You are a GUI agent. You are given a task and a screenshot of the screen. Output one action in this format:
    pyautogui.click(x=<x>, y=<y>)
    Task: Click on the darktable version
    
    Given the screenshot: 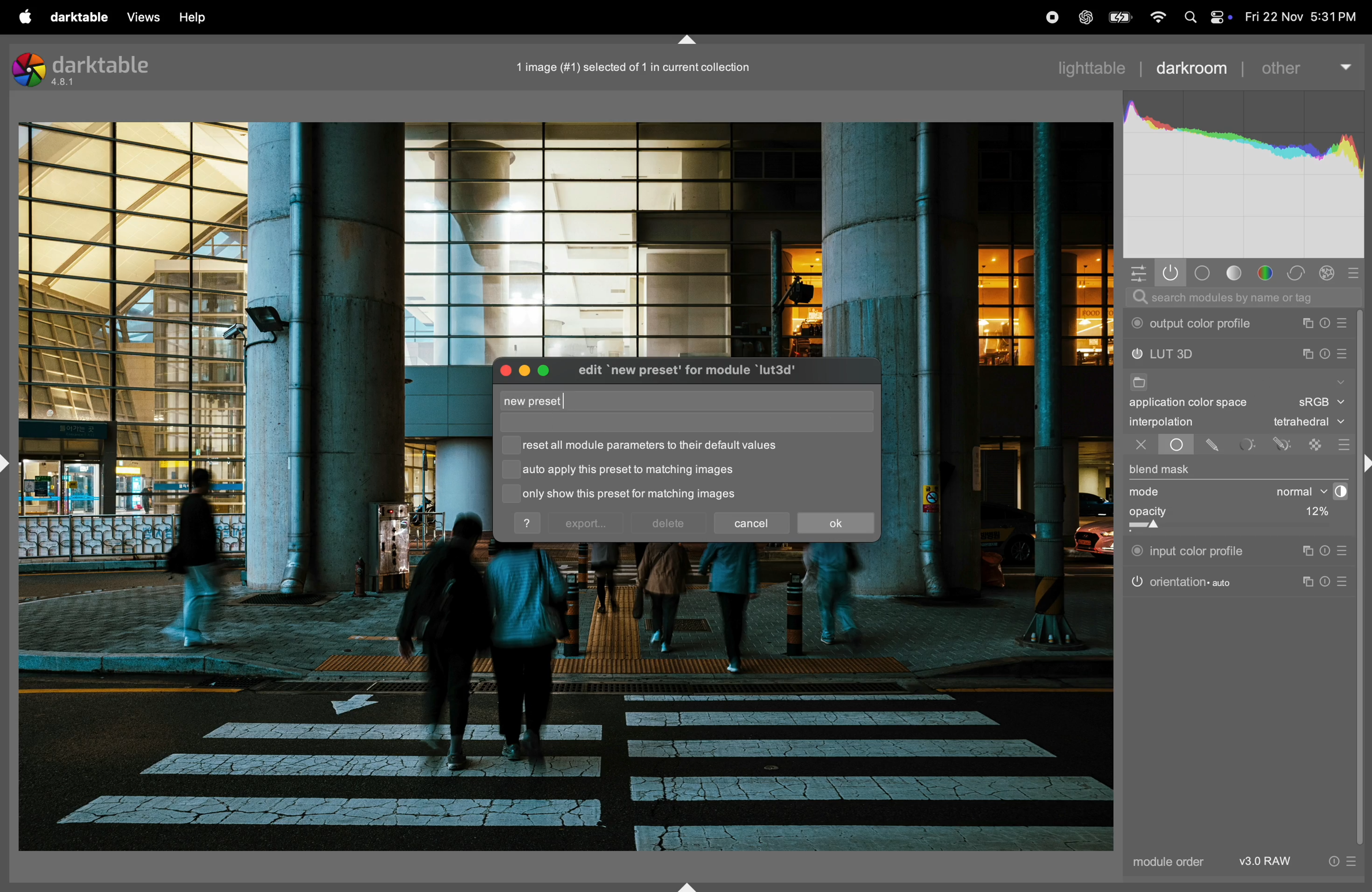 What is the action you would take?
    pyautogui.click(x=89, y=68)
    